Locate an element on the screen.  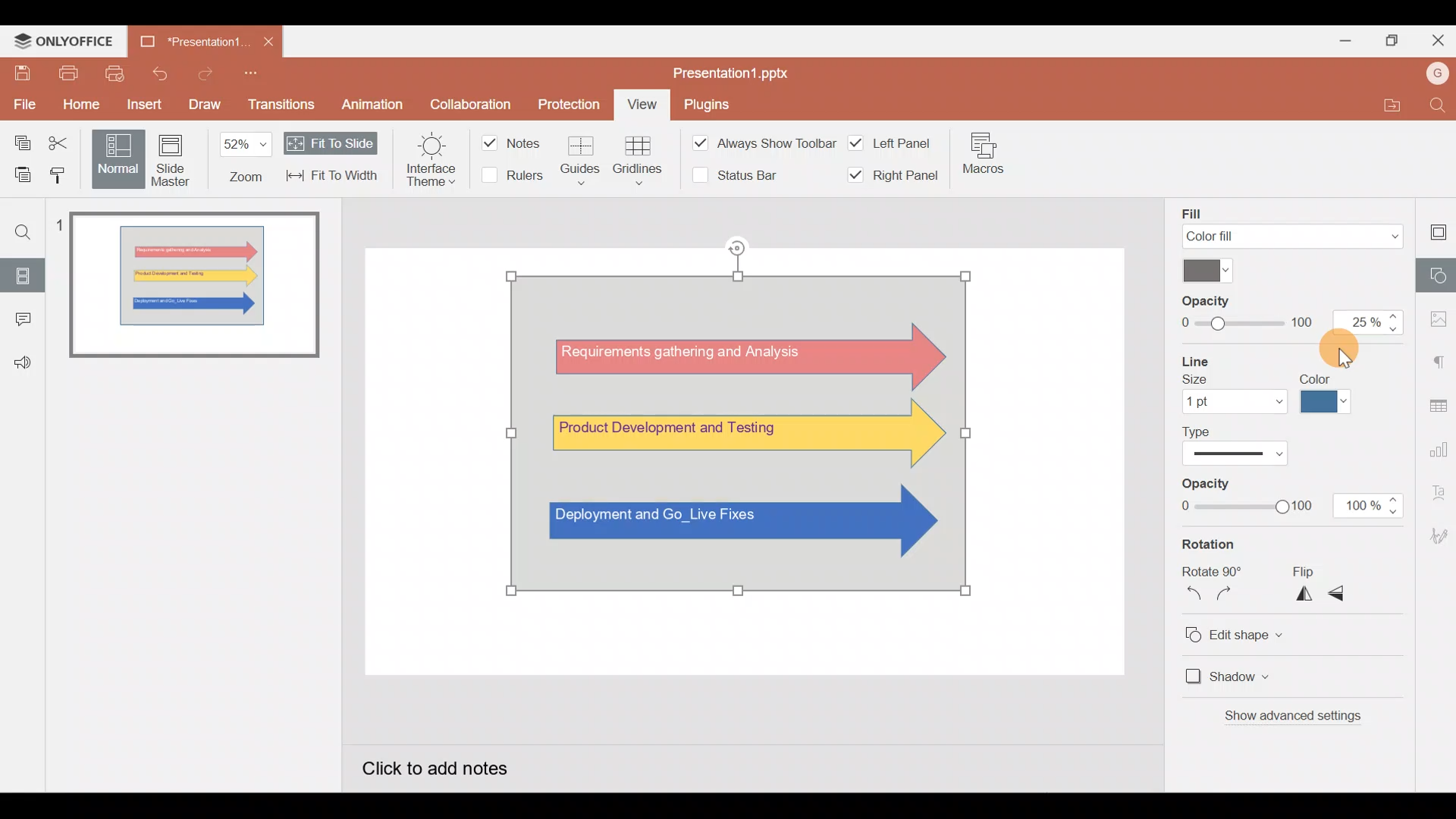
Minimize is located at coordinates (1343, 42).